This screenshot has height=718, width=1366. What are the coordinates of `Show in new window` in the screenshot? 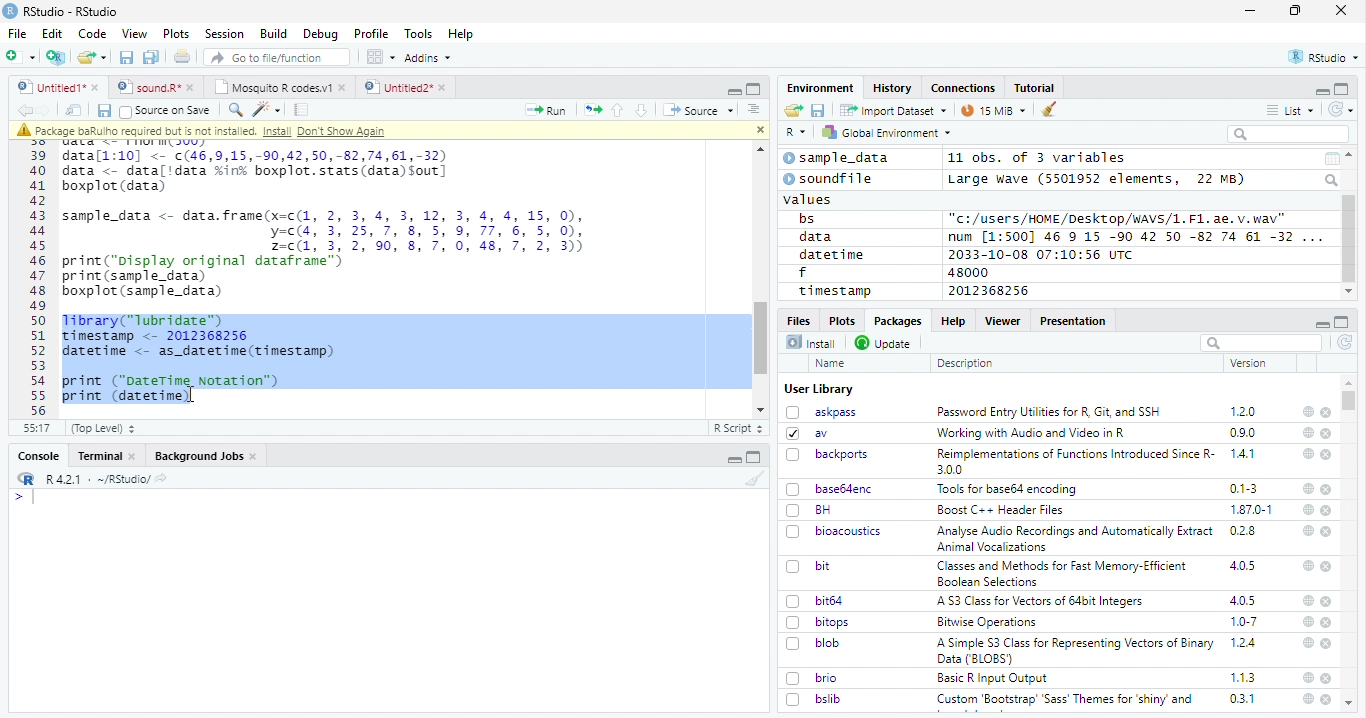 It's located at (76, 110).